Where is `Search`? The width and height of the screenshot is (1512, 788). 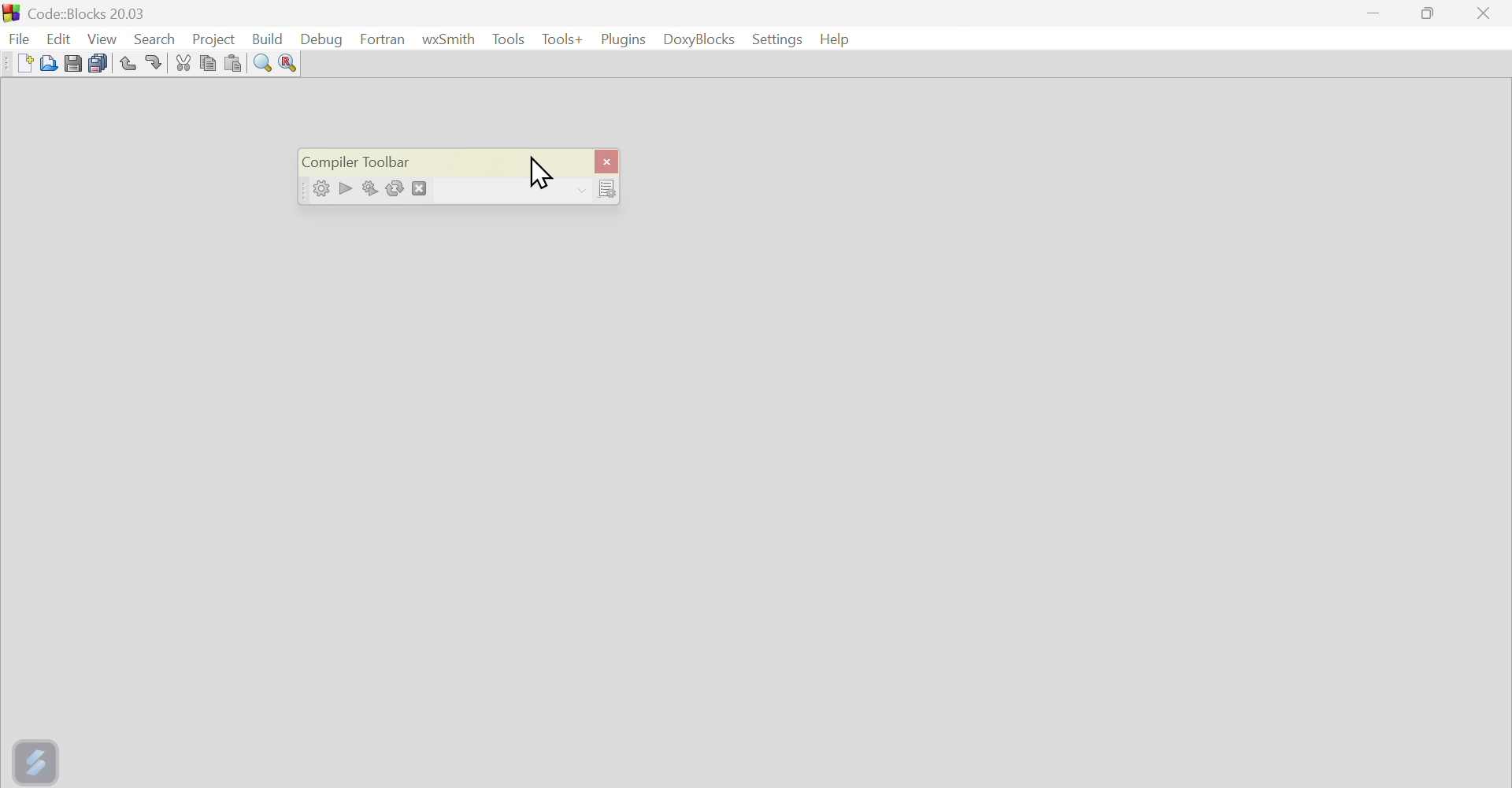
Search is located at coordinates (154, 35).